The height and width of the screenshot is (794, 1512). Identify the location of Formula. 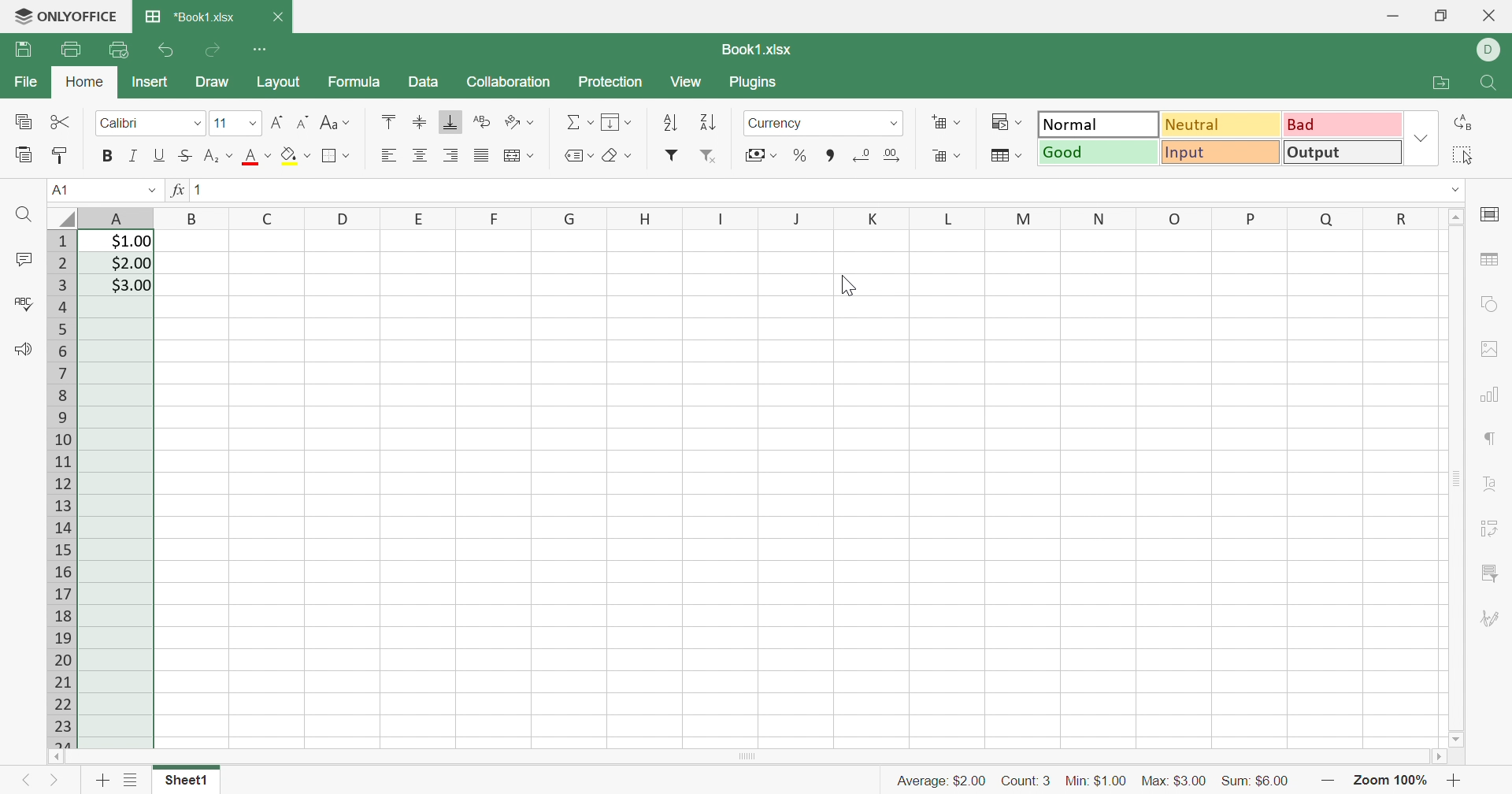
(352, 83).